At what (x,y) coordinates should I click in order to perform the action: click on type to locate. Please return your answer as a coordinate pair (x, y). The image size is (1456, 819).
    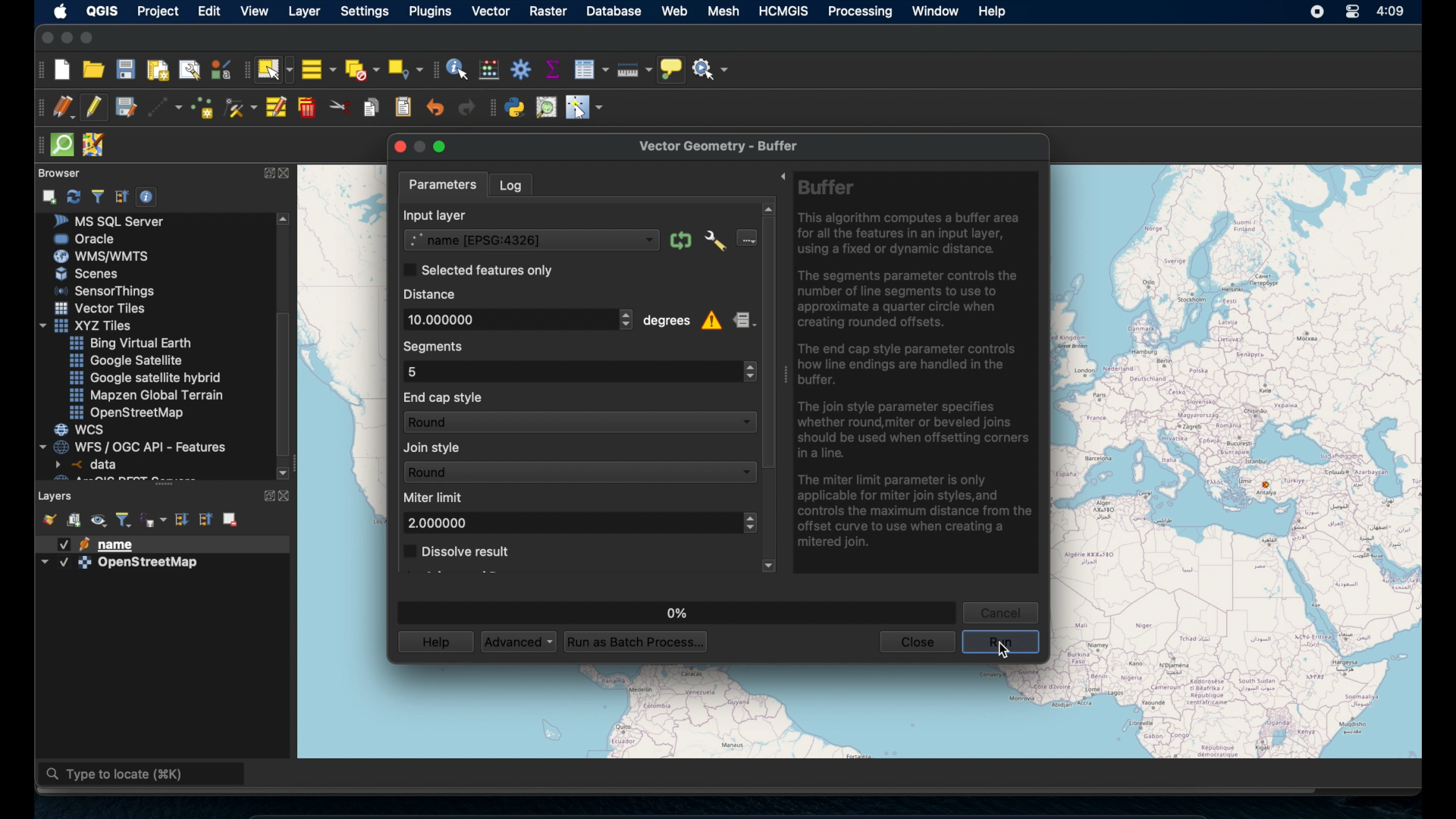
    Looking at the image, I should click on (143, 776).